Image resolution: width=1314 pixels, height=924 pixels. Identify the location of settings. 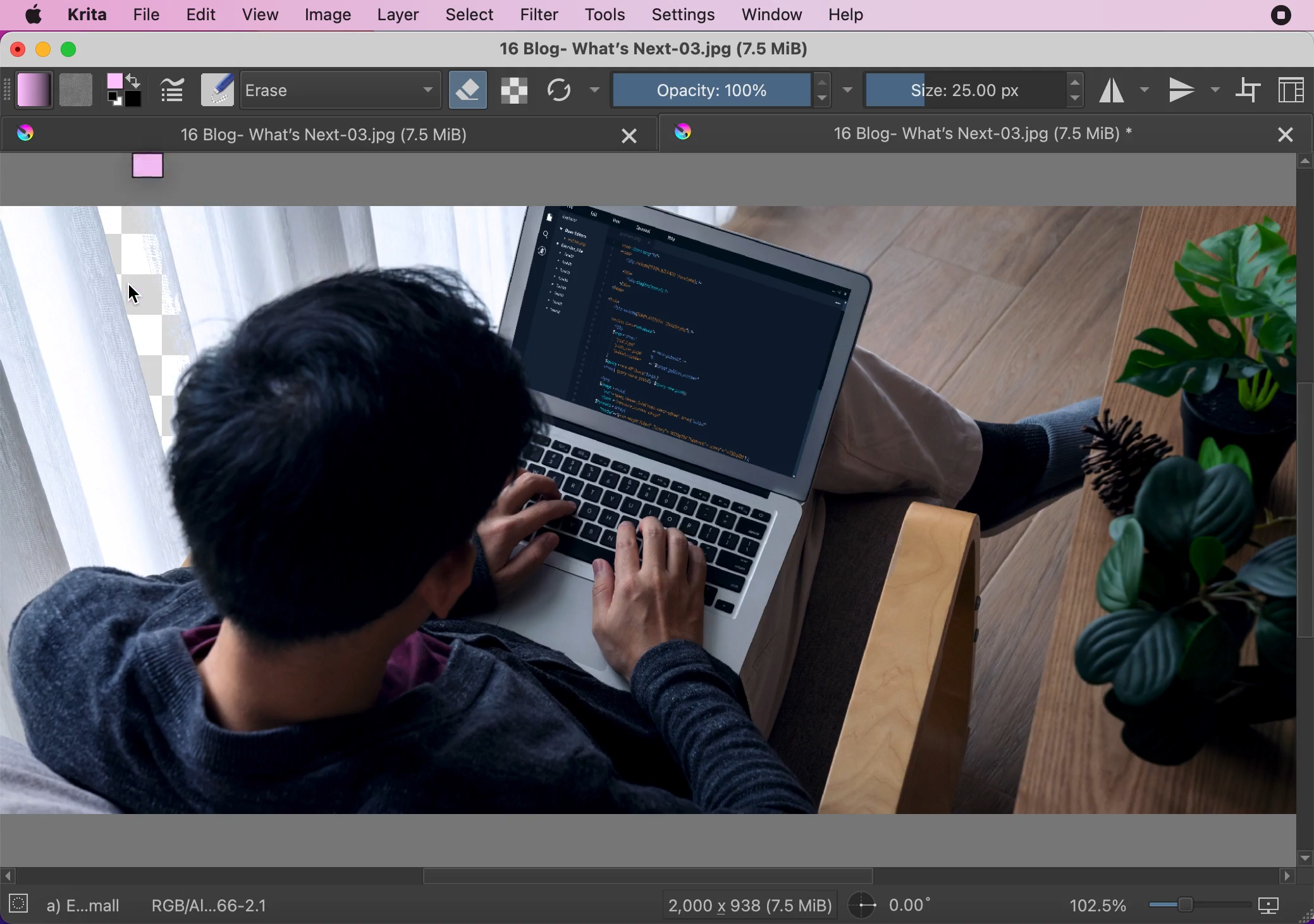
(684, 15).